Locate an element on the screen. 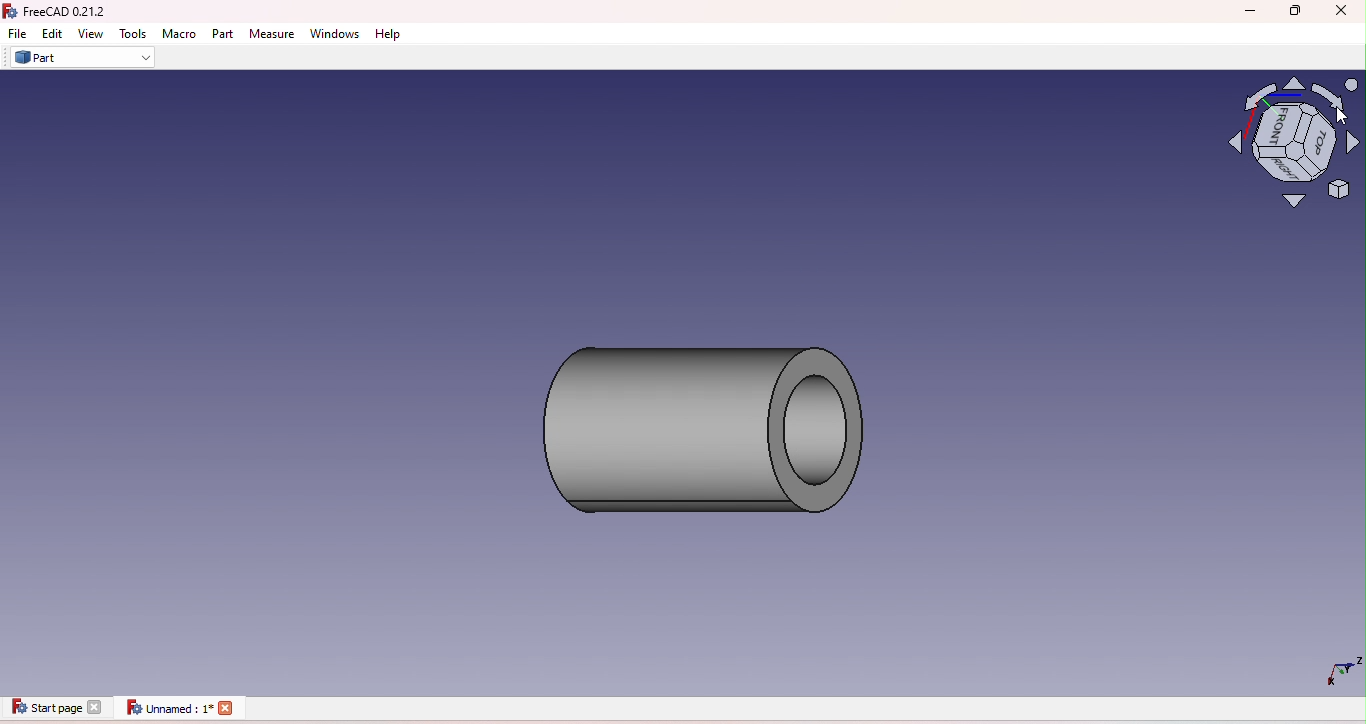 The image size is (1366, 724). Windows is located at coordinates (339, 34).